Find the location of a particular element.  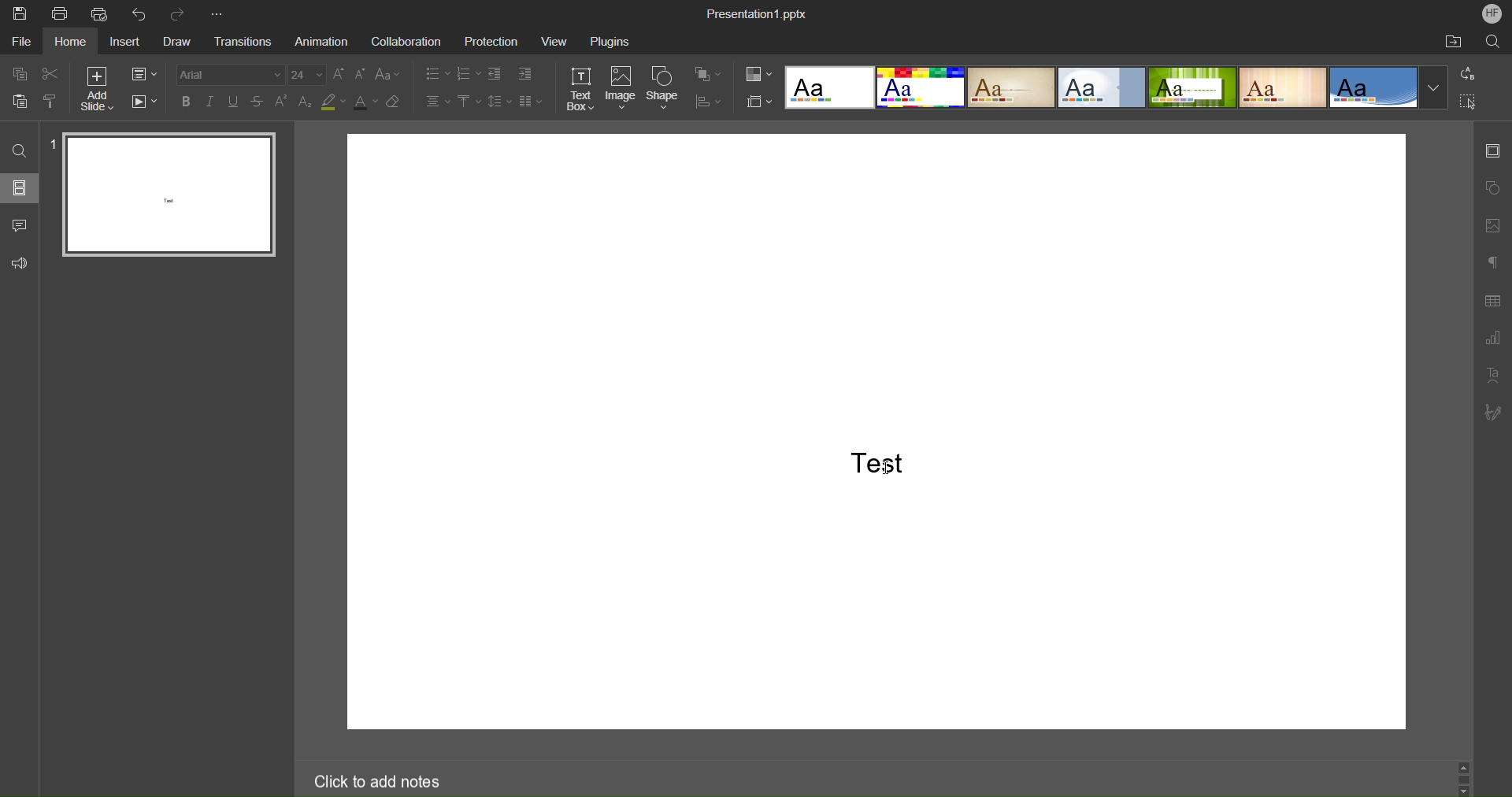

Signature is located at coordinates (1493, 413).